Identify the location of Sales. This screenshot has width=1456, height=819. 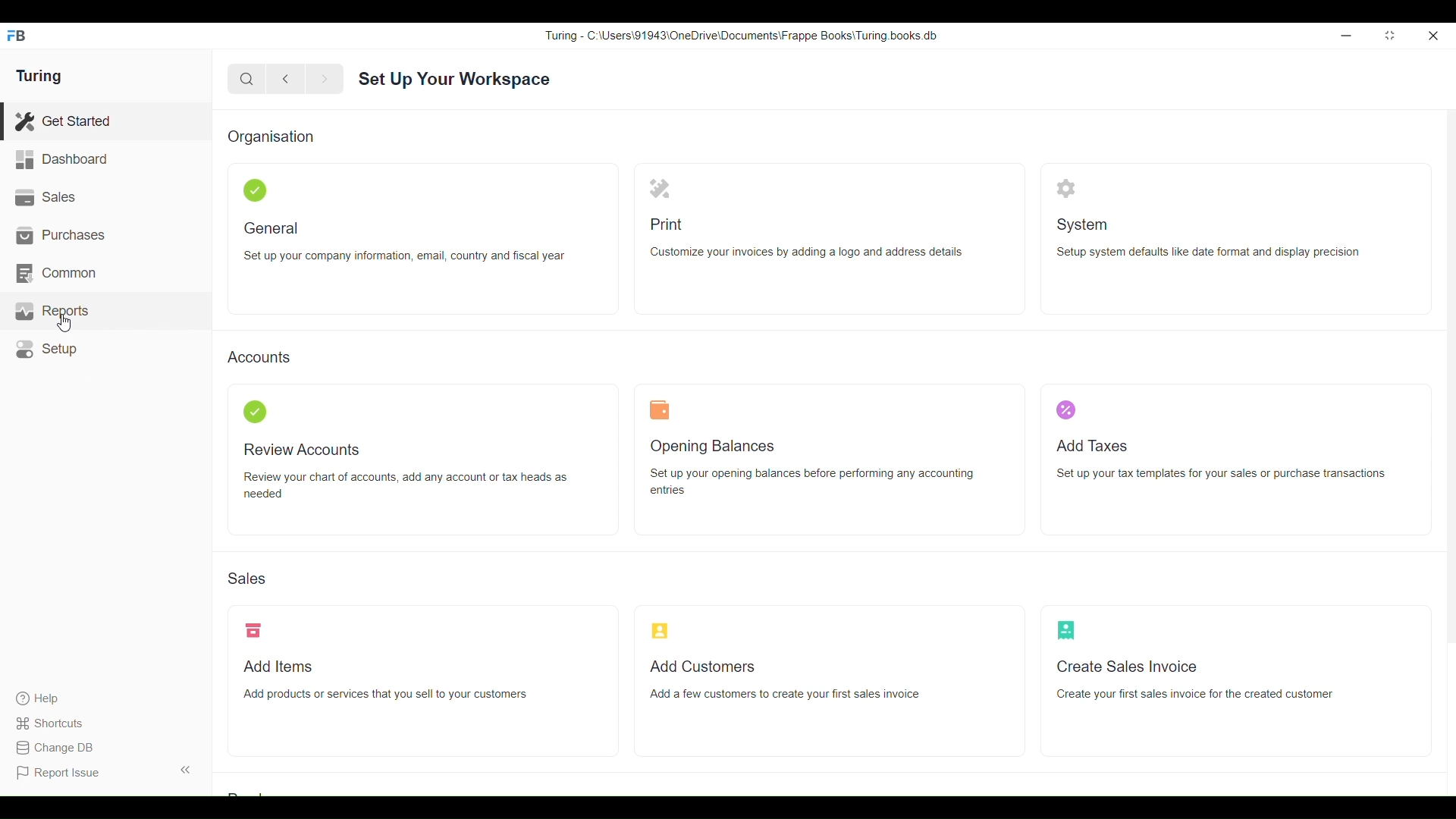
(105, 198).